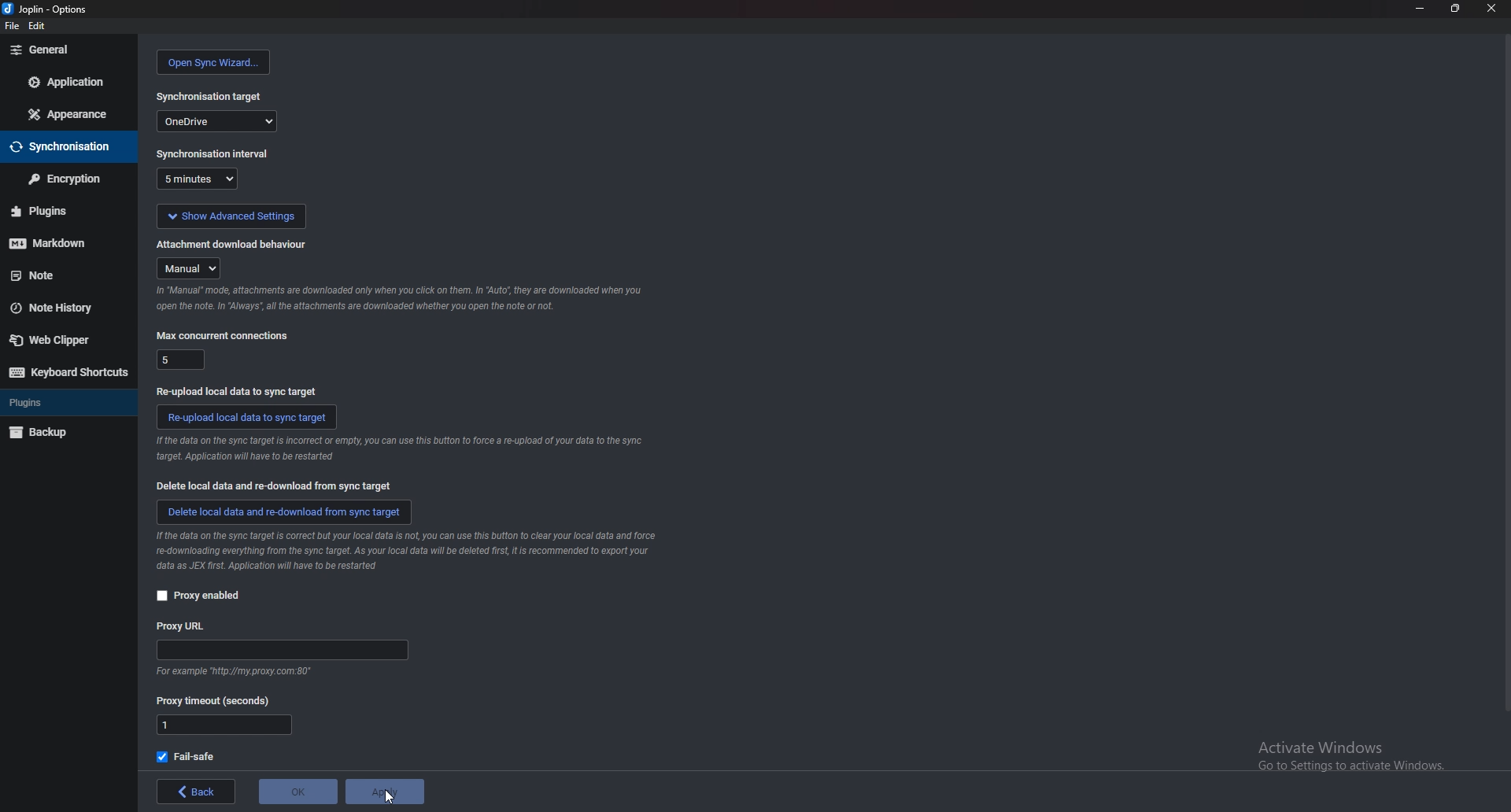 This screenshot has height=812, width=1511. Describe the element at coordinates (231, 673) in the screenshot. I see `info` at that location.